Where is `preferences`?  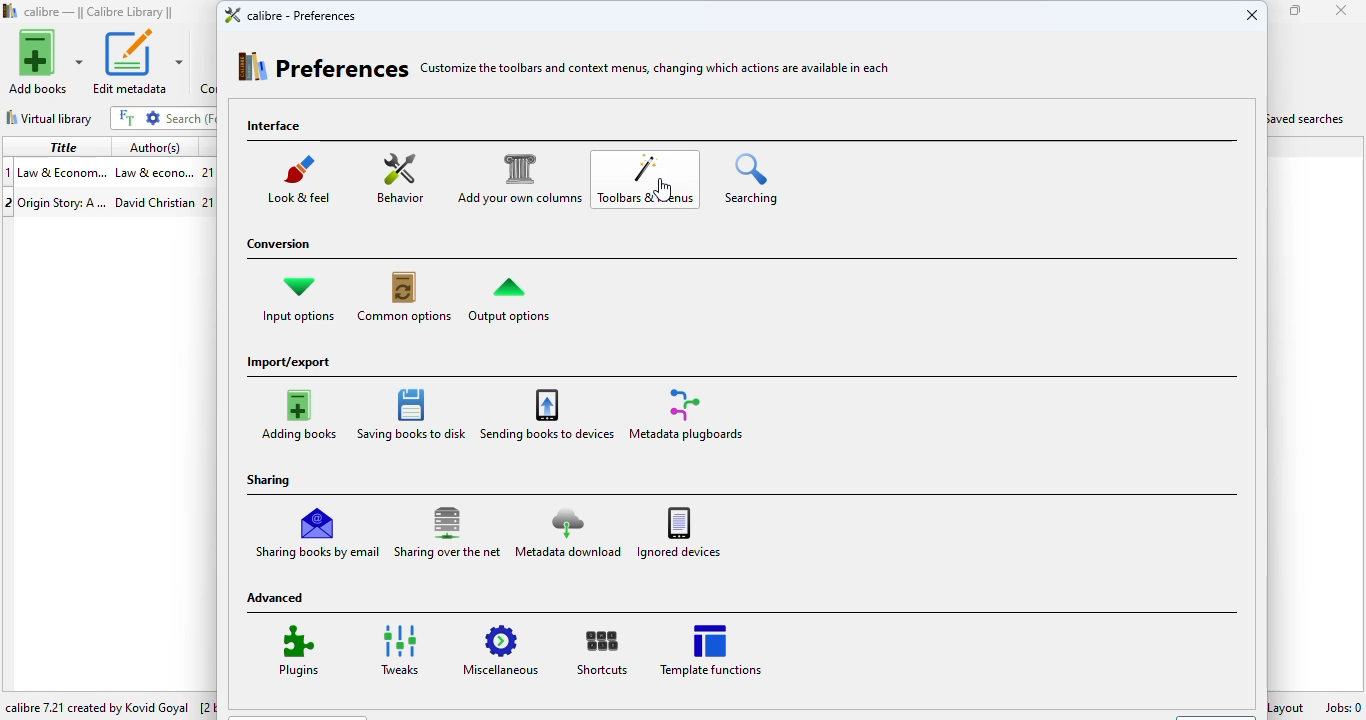 preferences is located at coordinates (324, 65).